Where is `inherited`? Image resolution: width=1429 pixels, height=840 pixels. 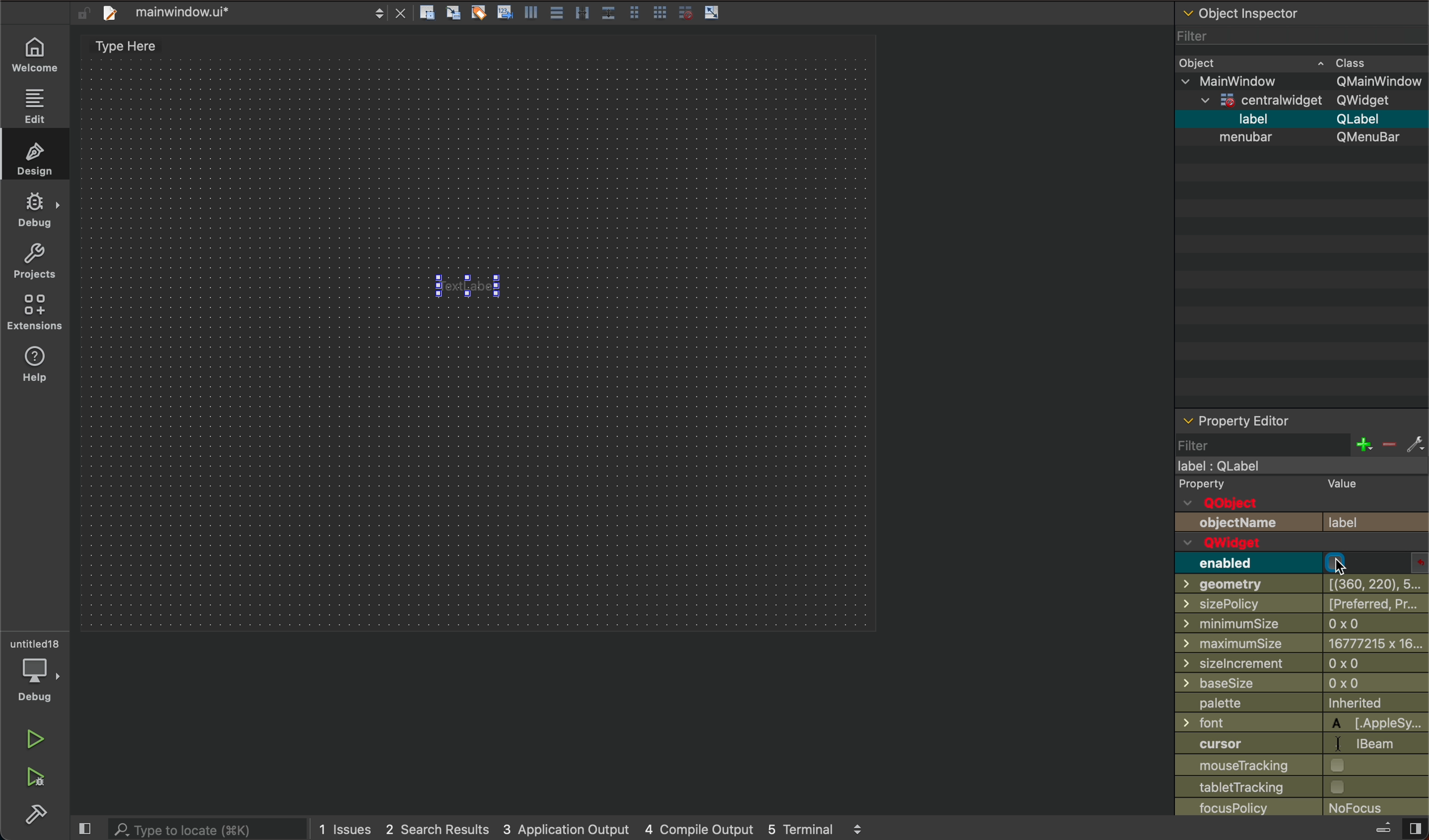 inherited is located at coordinates (1368, 705).